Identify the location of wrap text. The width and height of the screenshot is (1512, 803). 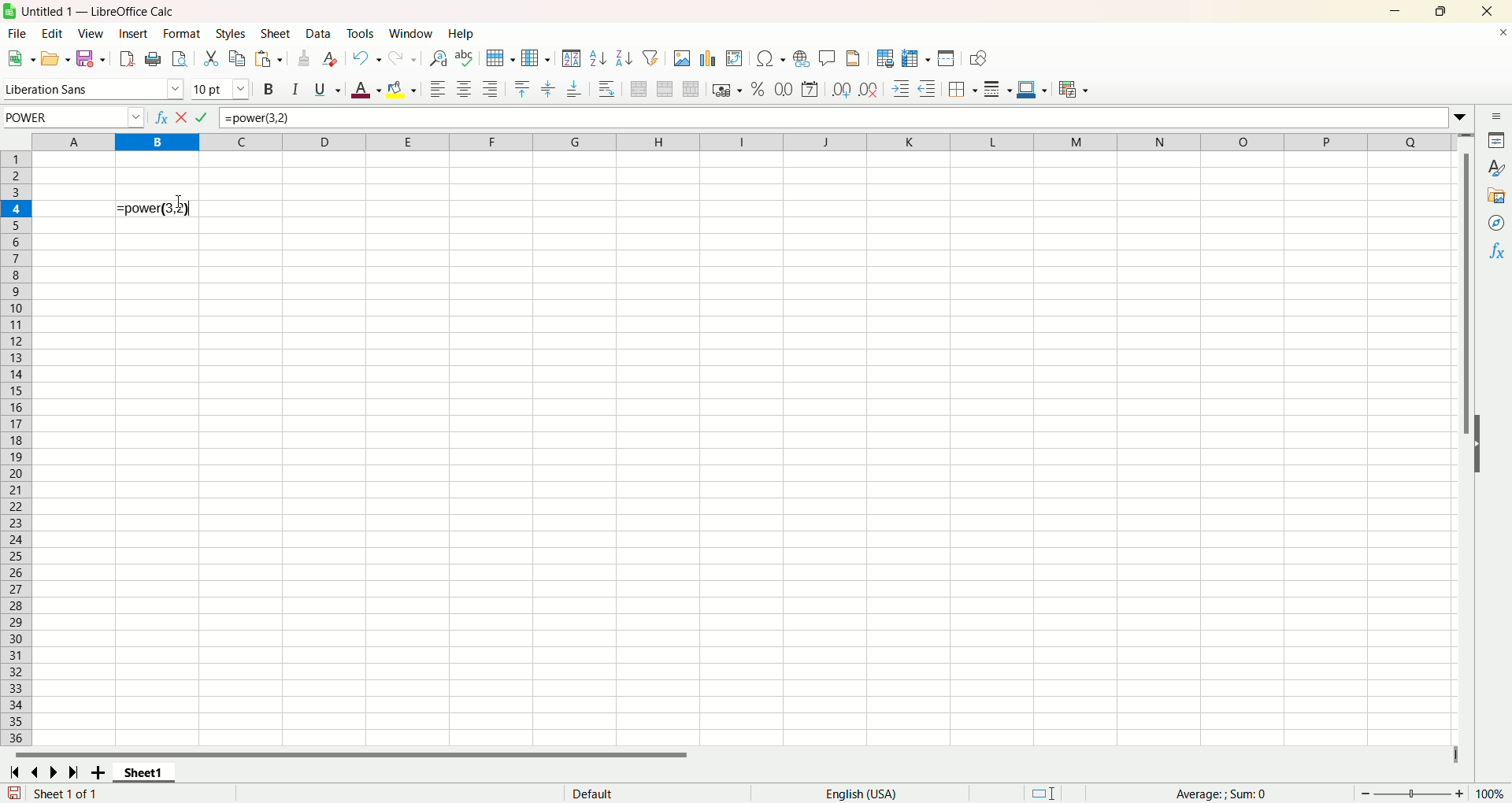
(608, 89).